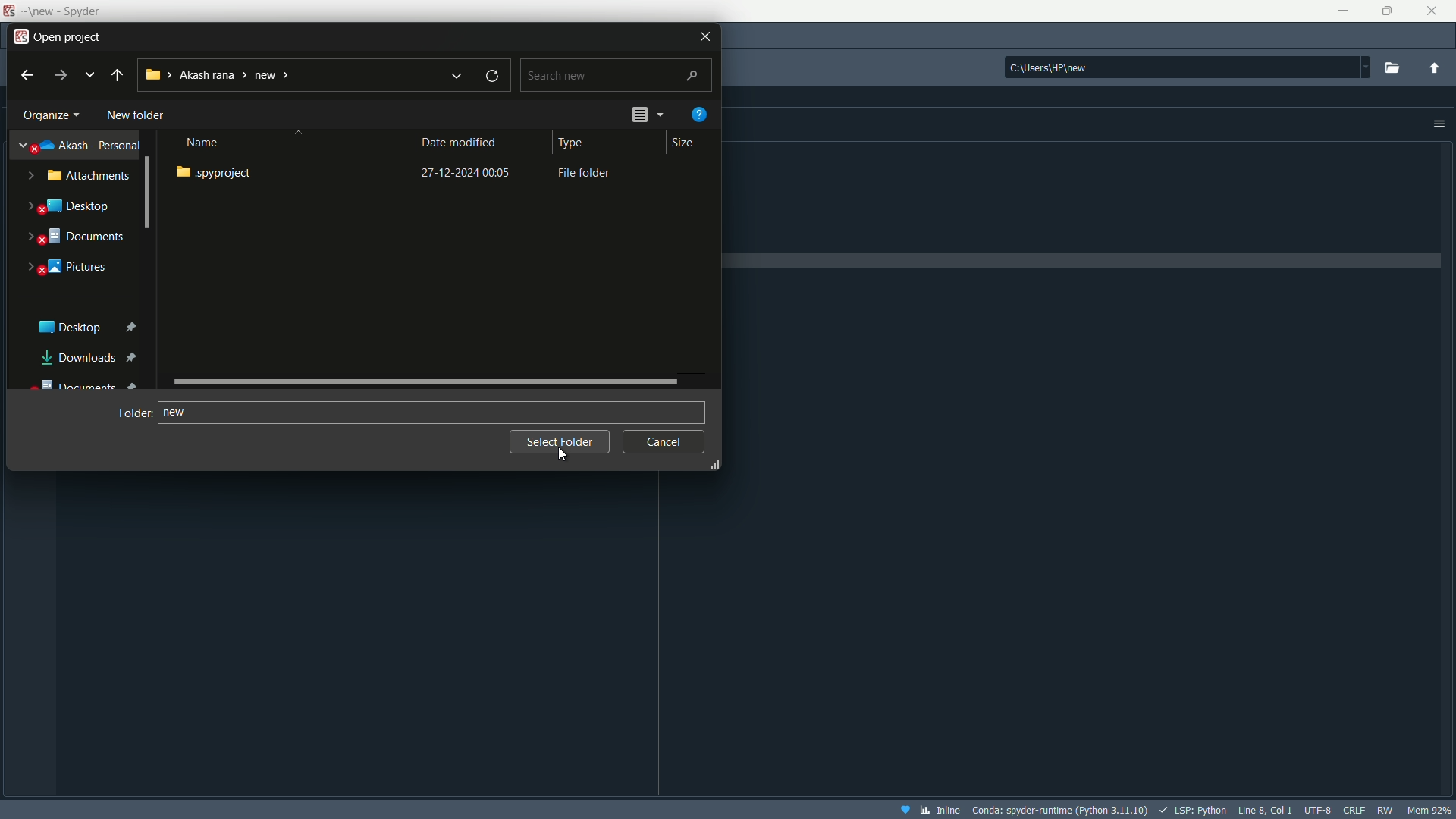  I want to click on Date modified, so click(464, 143).